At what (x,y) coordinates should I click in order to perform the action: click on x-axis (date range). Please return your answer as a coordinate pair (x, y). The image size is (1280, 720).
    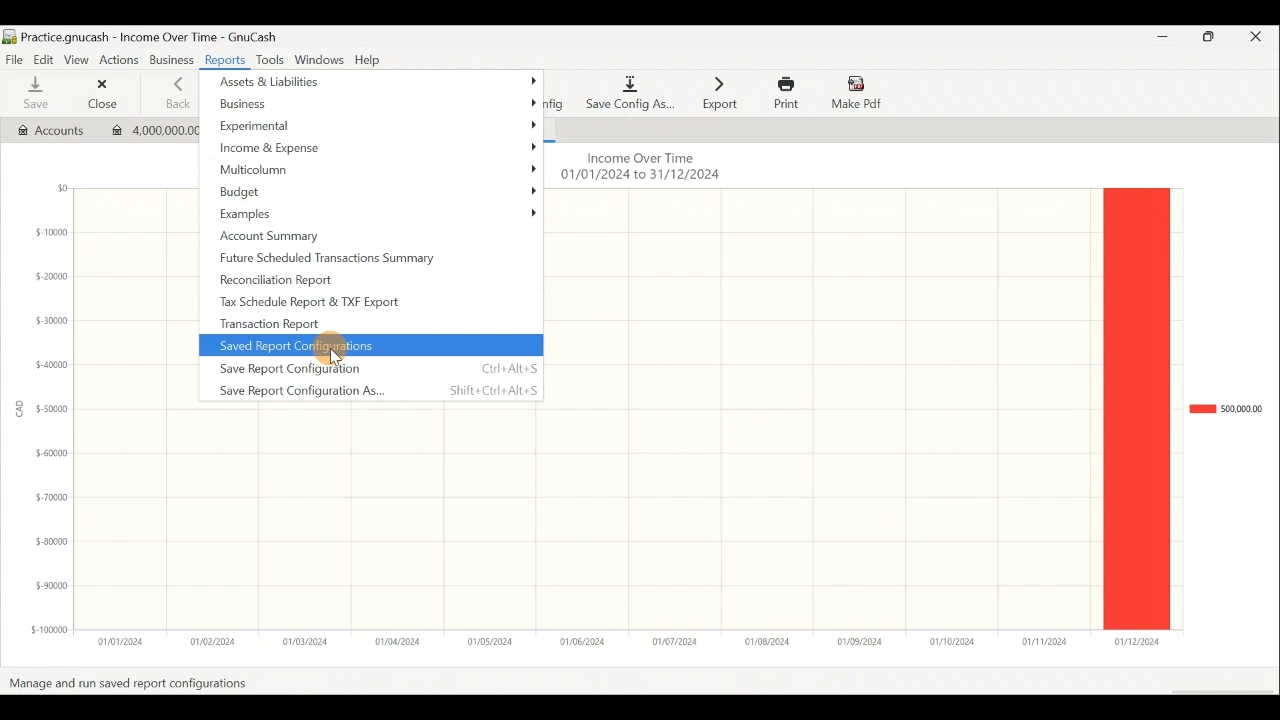
    Looking at the image, I should click on (616, 641).